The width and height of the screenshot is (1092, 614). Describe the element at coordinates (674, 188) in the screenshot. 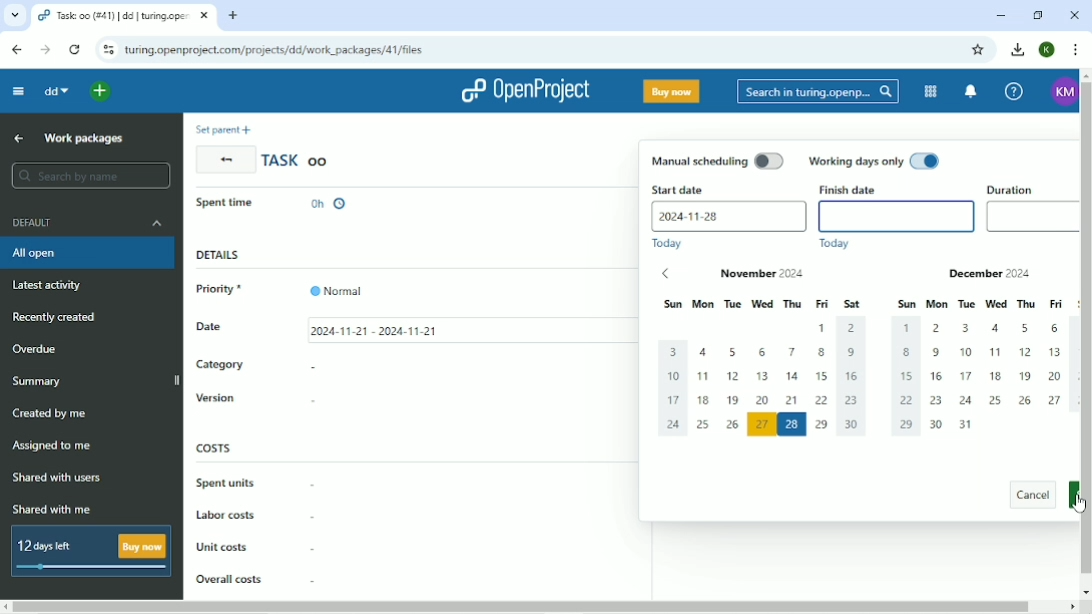

I see `Start date` at that location.